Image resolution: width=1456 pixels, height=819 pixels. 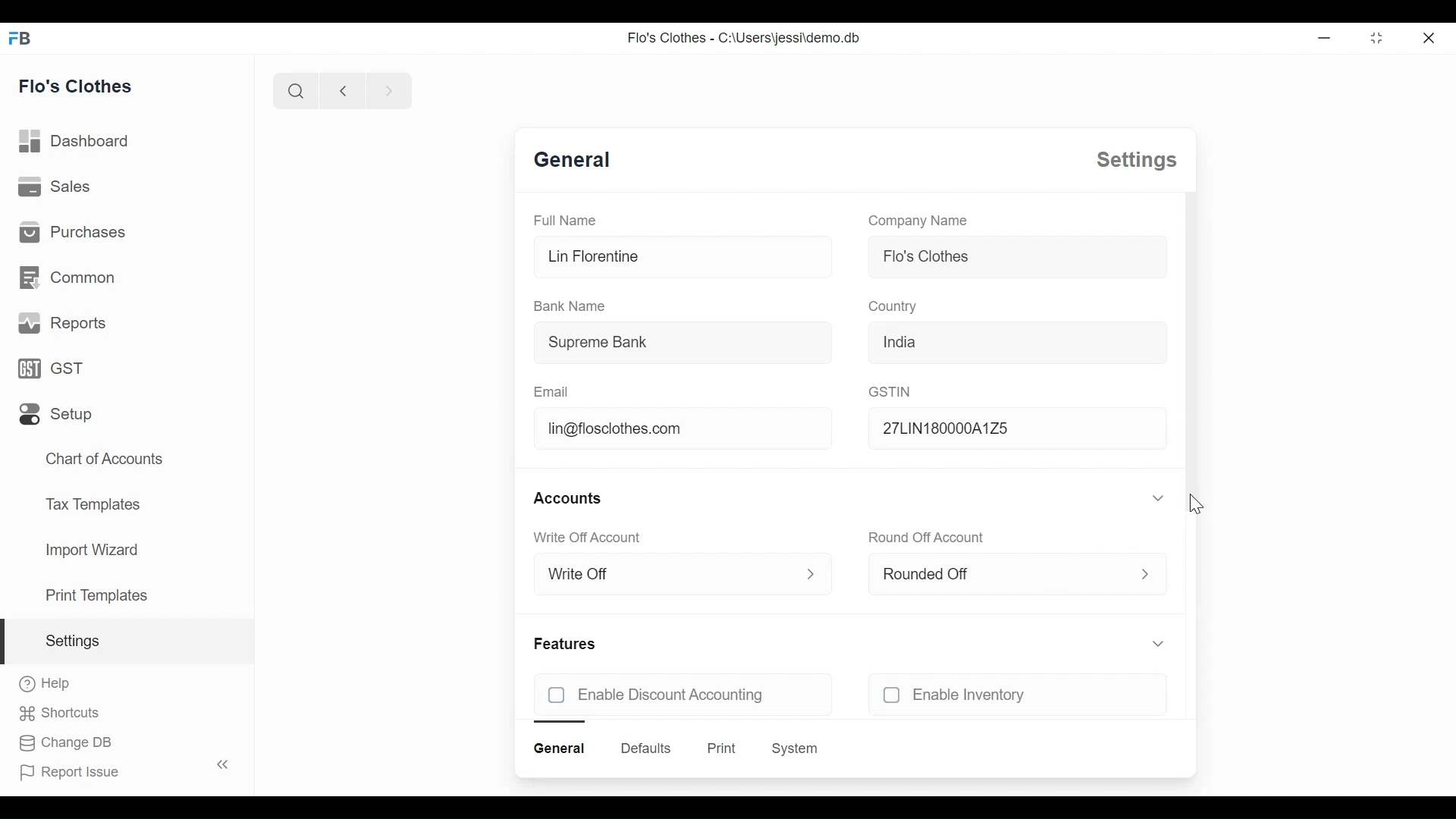 What do you see at coordinates (580, 162) in the screenshot?
I see `General` at bounding box center [580, 162].